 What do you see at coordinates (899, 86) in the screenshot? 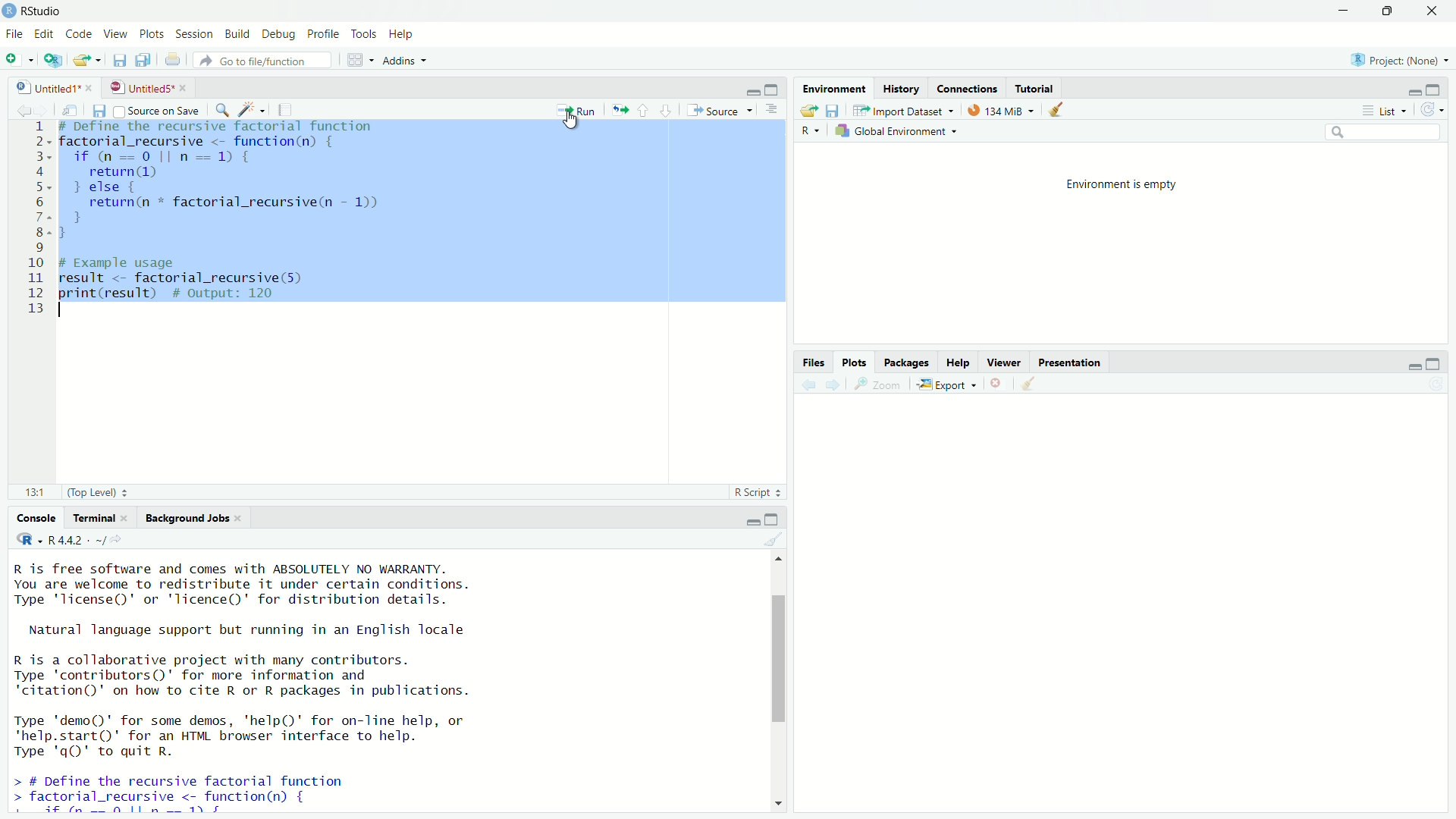
I see `History` at bounding box center [899, 86].